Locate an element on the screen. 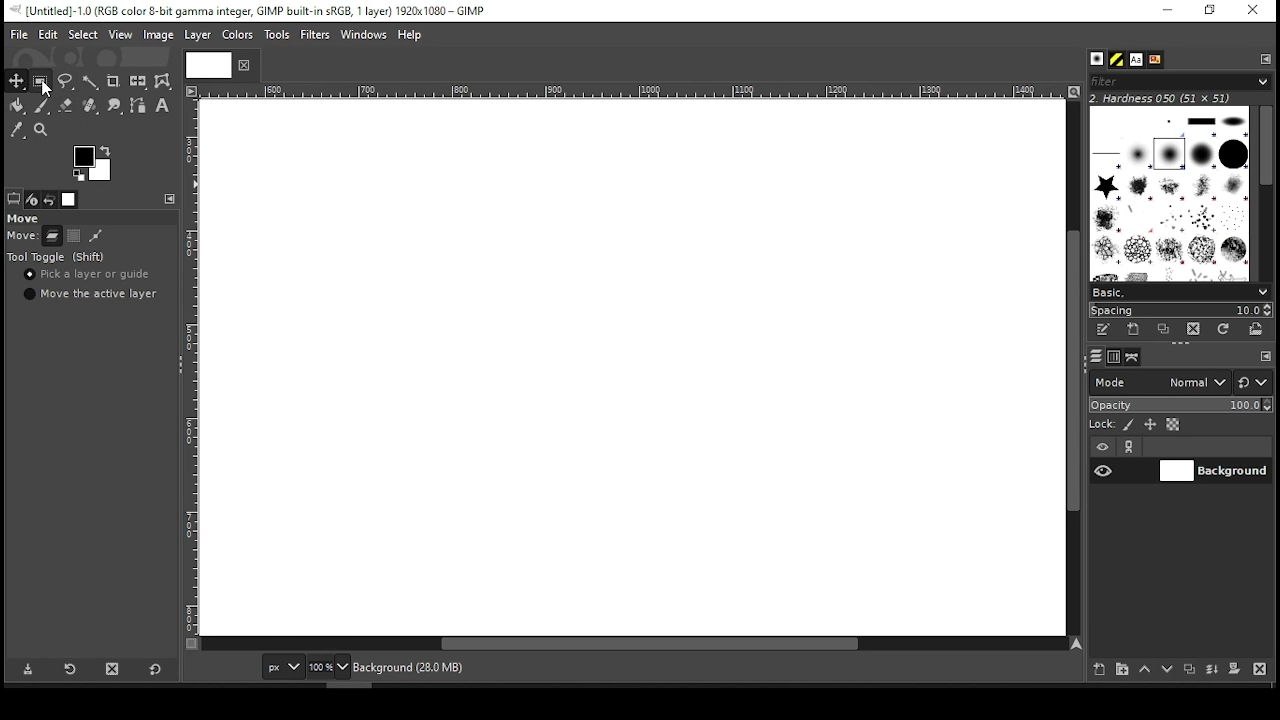 The height and width of the screenshot is (720, 1280). move layer one step down is located at coordinates (1168, 671).